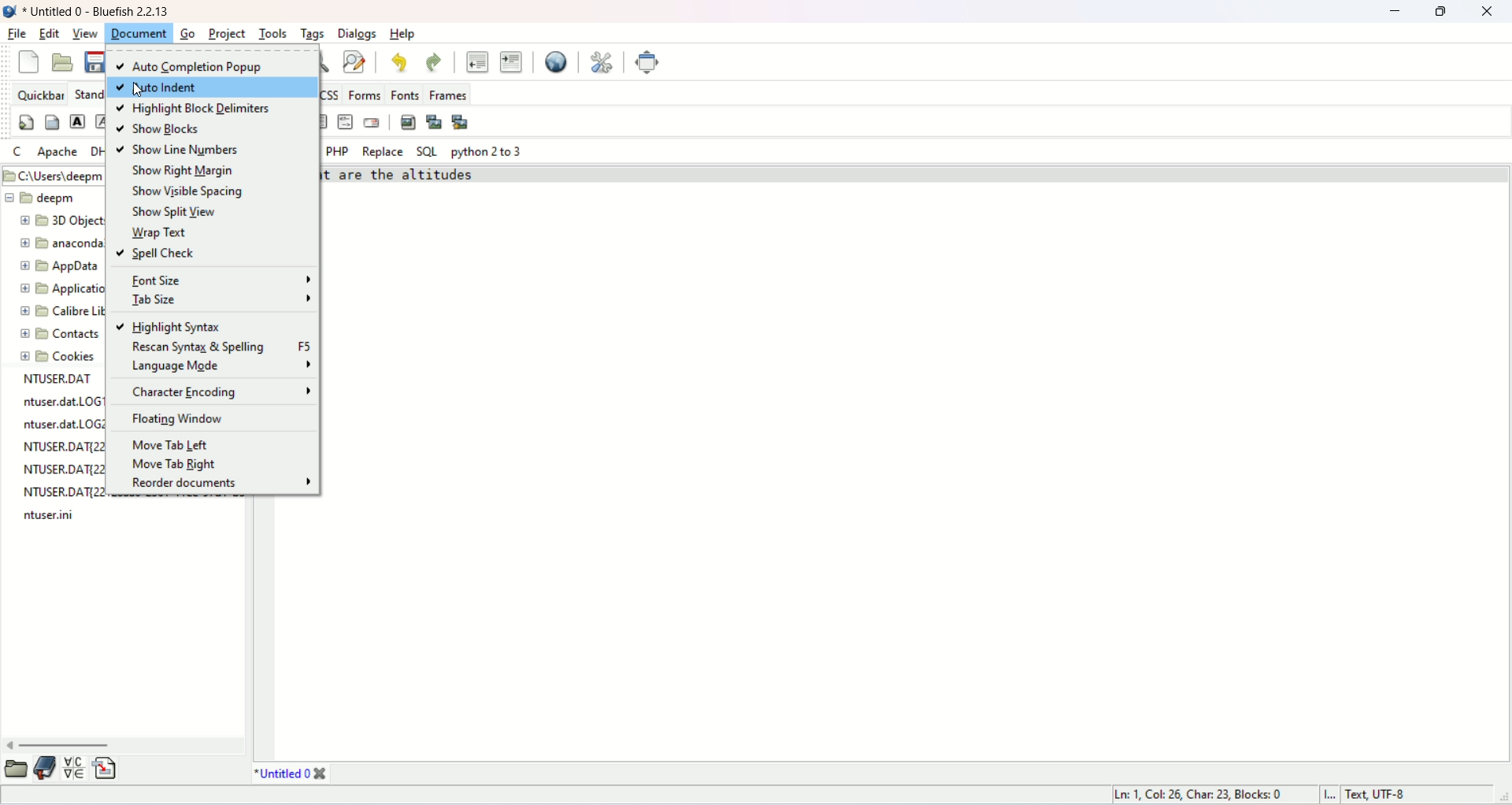  I want to click on text, so click(406, 177).